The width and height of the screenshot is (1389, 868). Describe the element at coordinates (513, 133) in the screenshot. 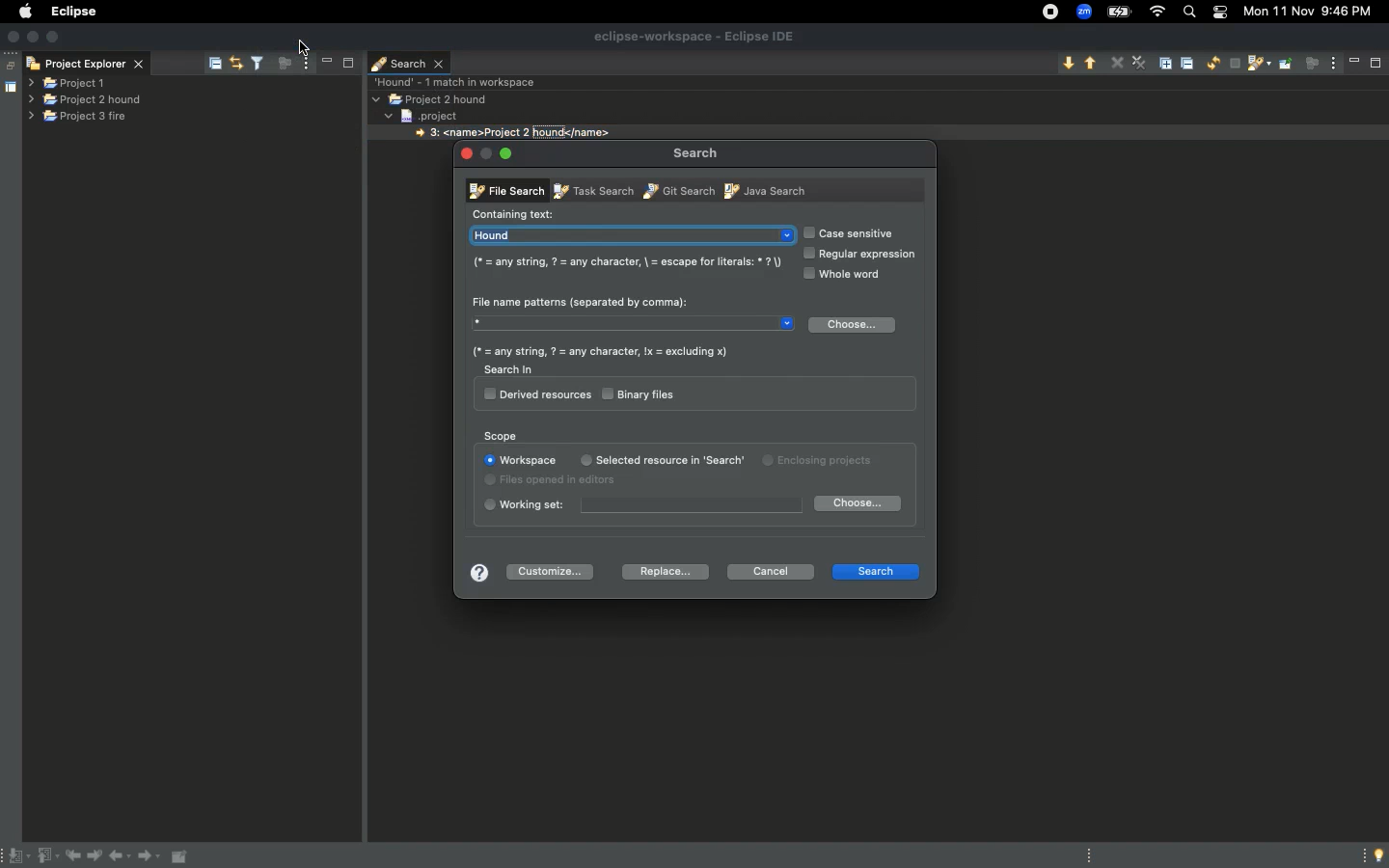

I see `3: <name>Project 2 hound</name>` at that location.